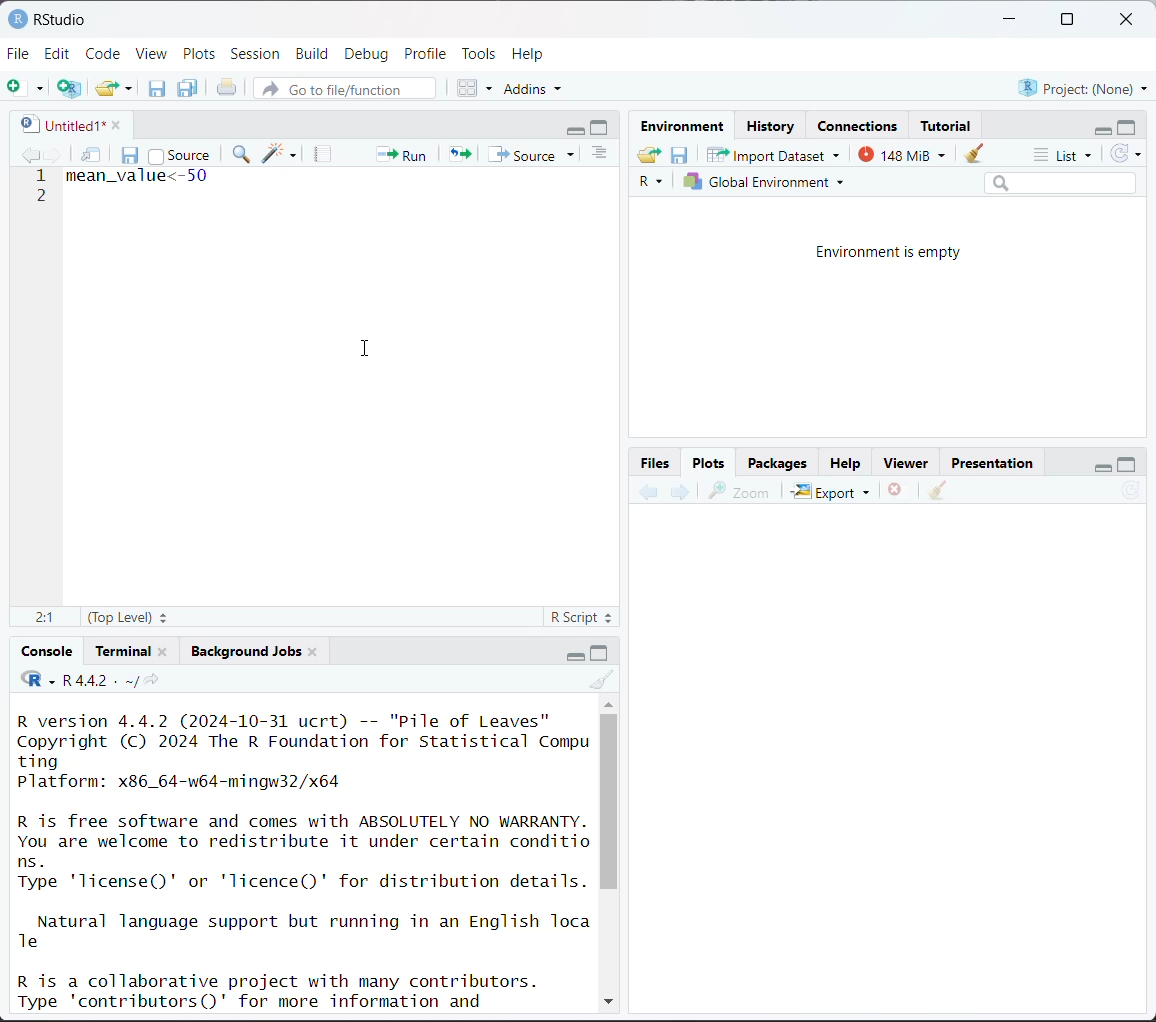 Image resolution: width=1156 pixels, height=1022 pixels. I want to click on Help, so click(845, 465).